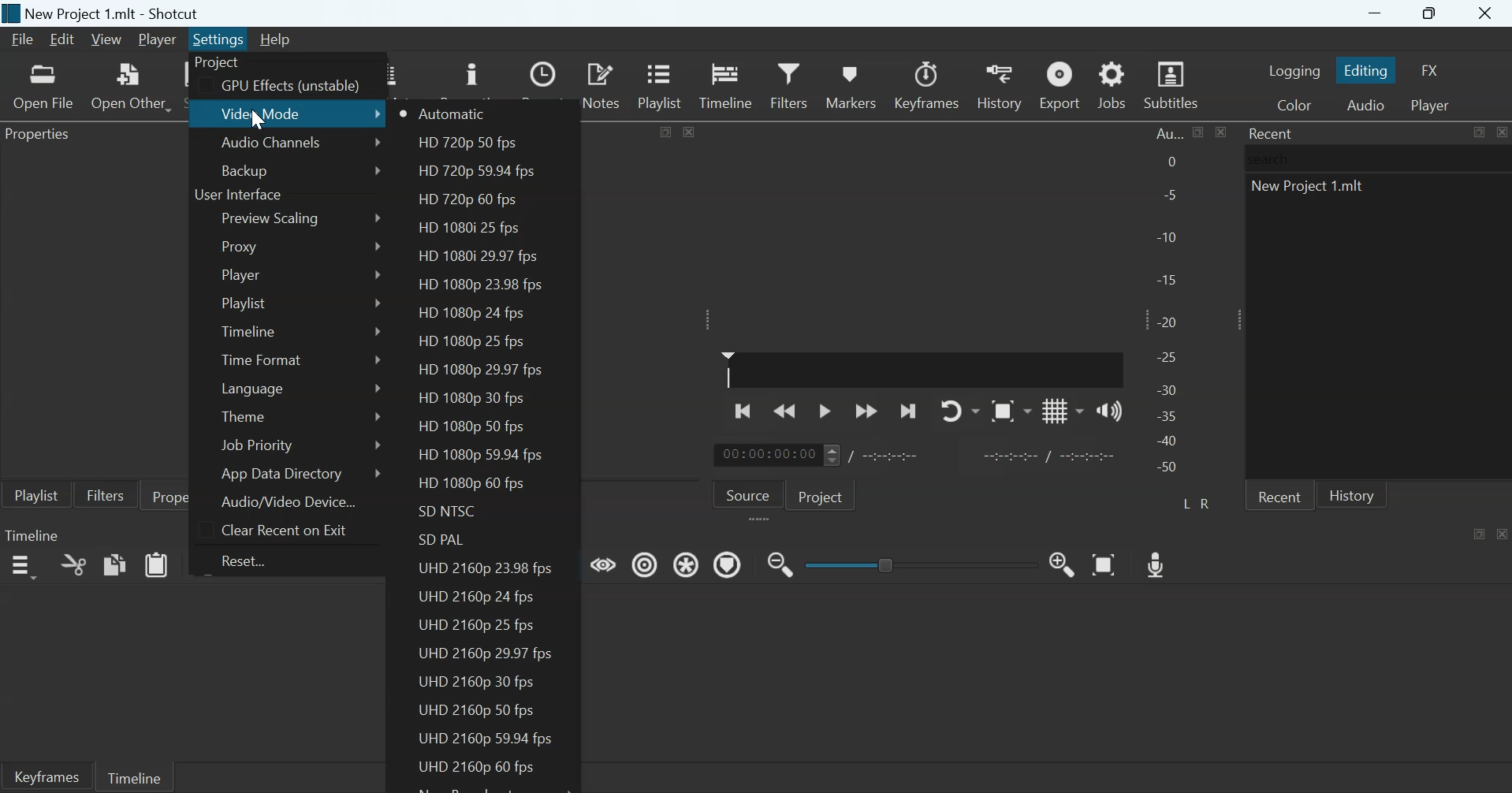 This screenshot has height=793, width=1512. What do you see at coordinates (445, 540) in the screenshot?
I see `SD PAL` at bounding box center [445, 540].